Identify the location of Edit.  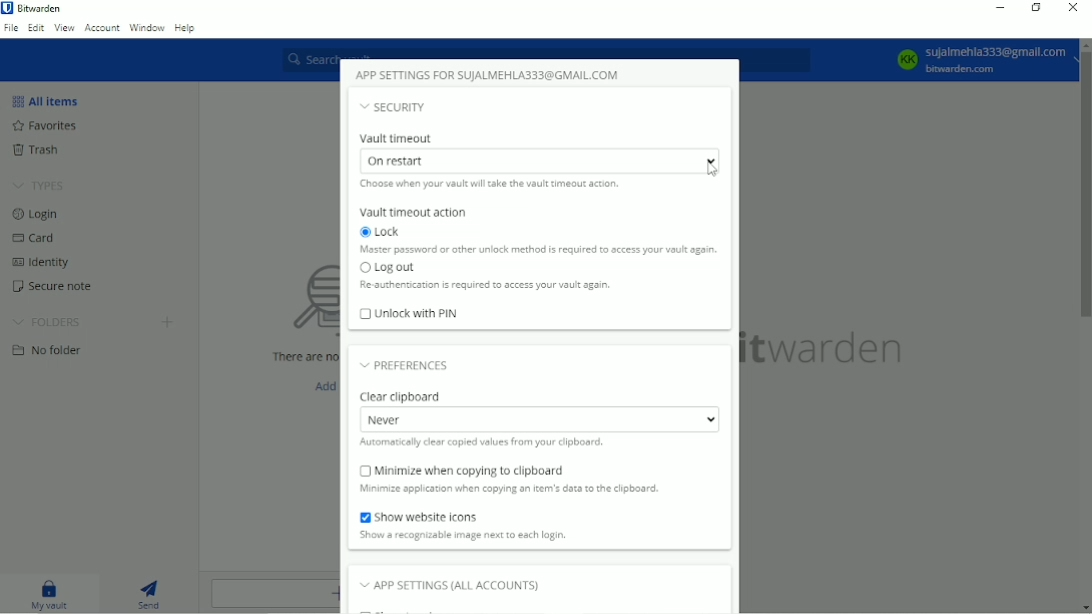
(36, 29).